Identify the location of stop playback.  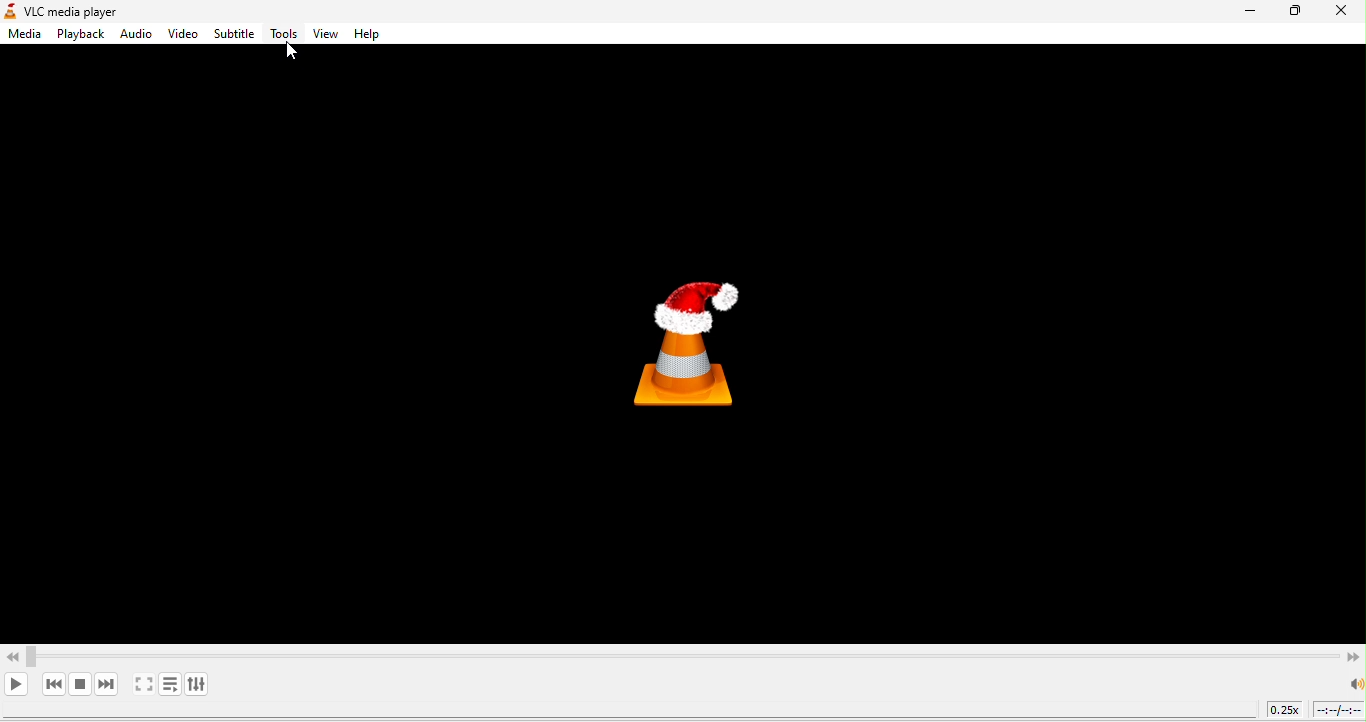
(79, 684).